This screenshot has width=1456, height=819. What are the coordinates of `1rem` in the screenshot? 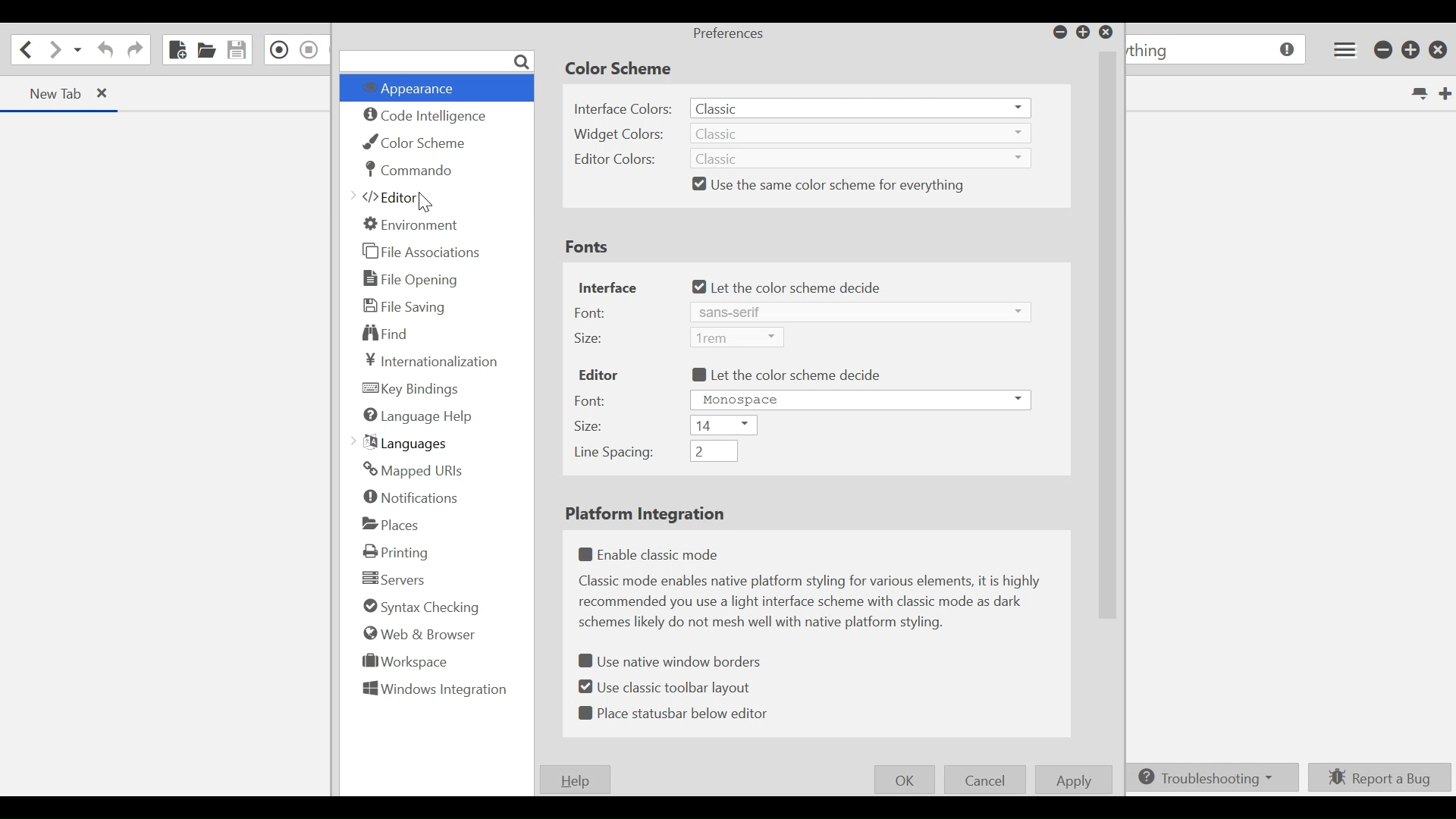 It's located at (736, 336).